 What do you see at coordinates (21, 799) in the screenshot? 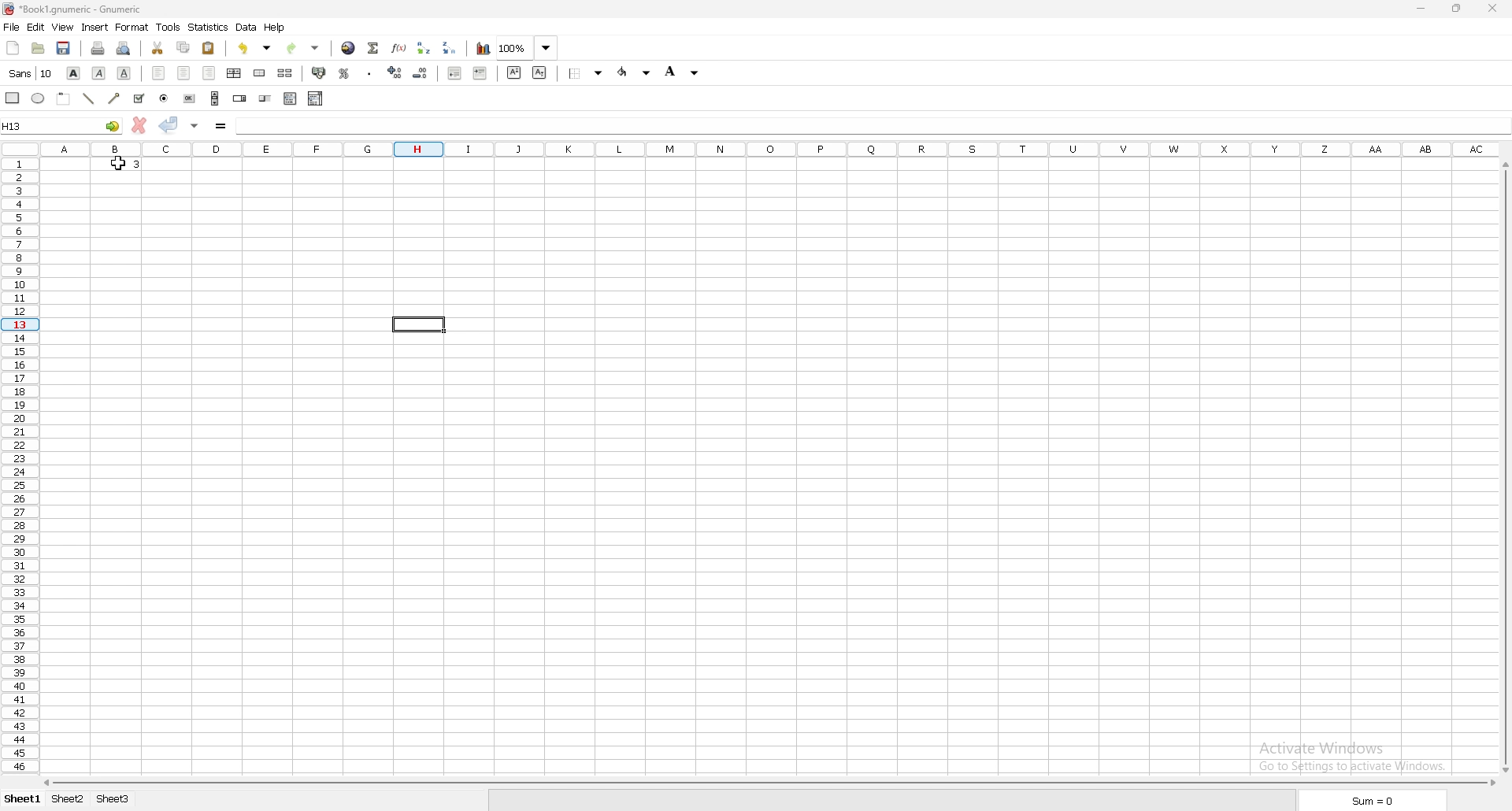
I see `sheet1` at bounding box center [21, 799].